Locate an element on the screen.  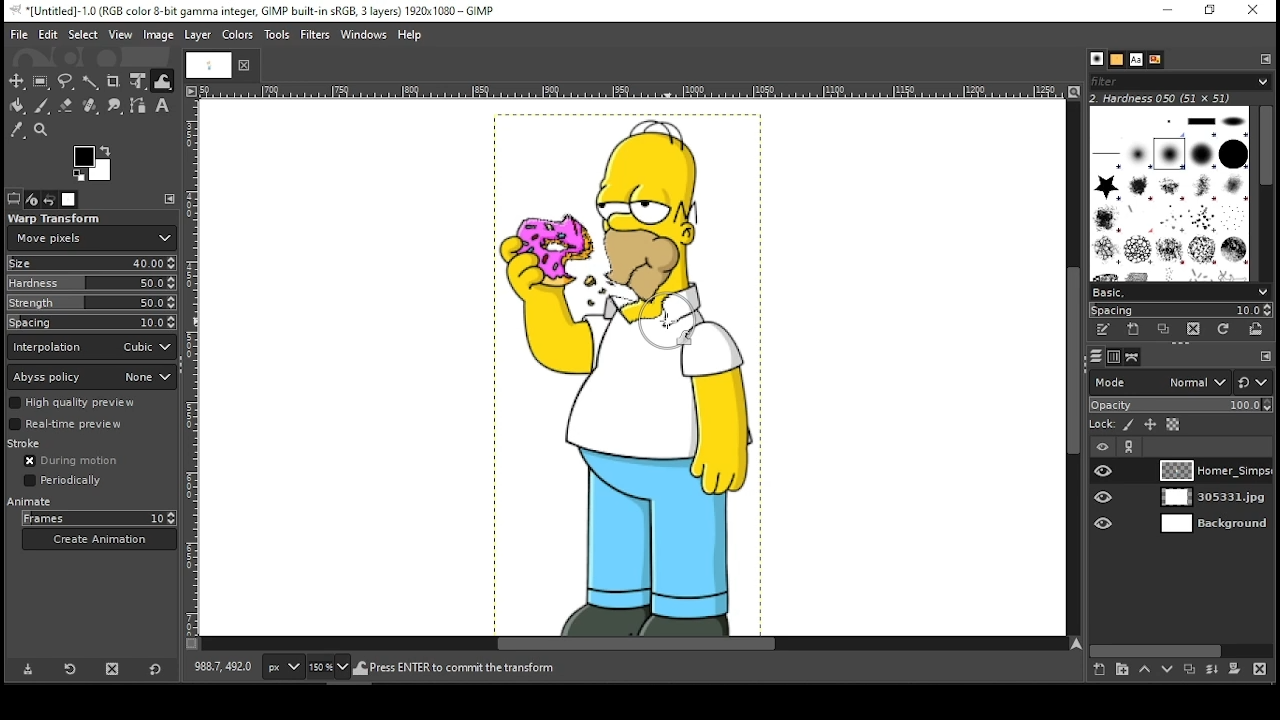
edit toolbar is located at coordinates (1262, 356).